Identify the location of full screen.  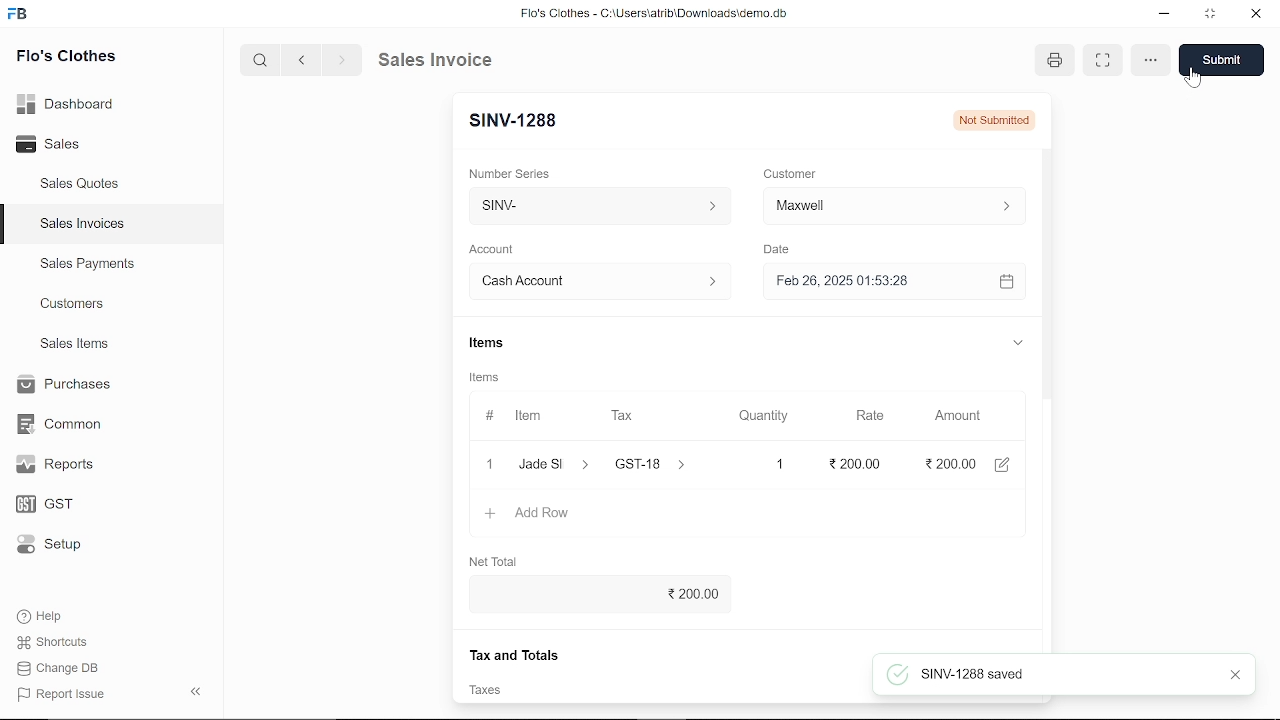
(1104, 61).